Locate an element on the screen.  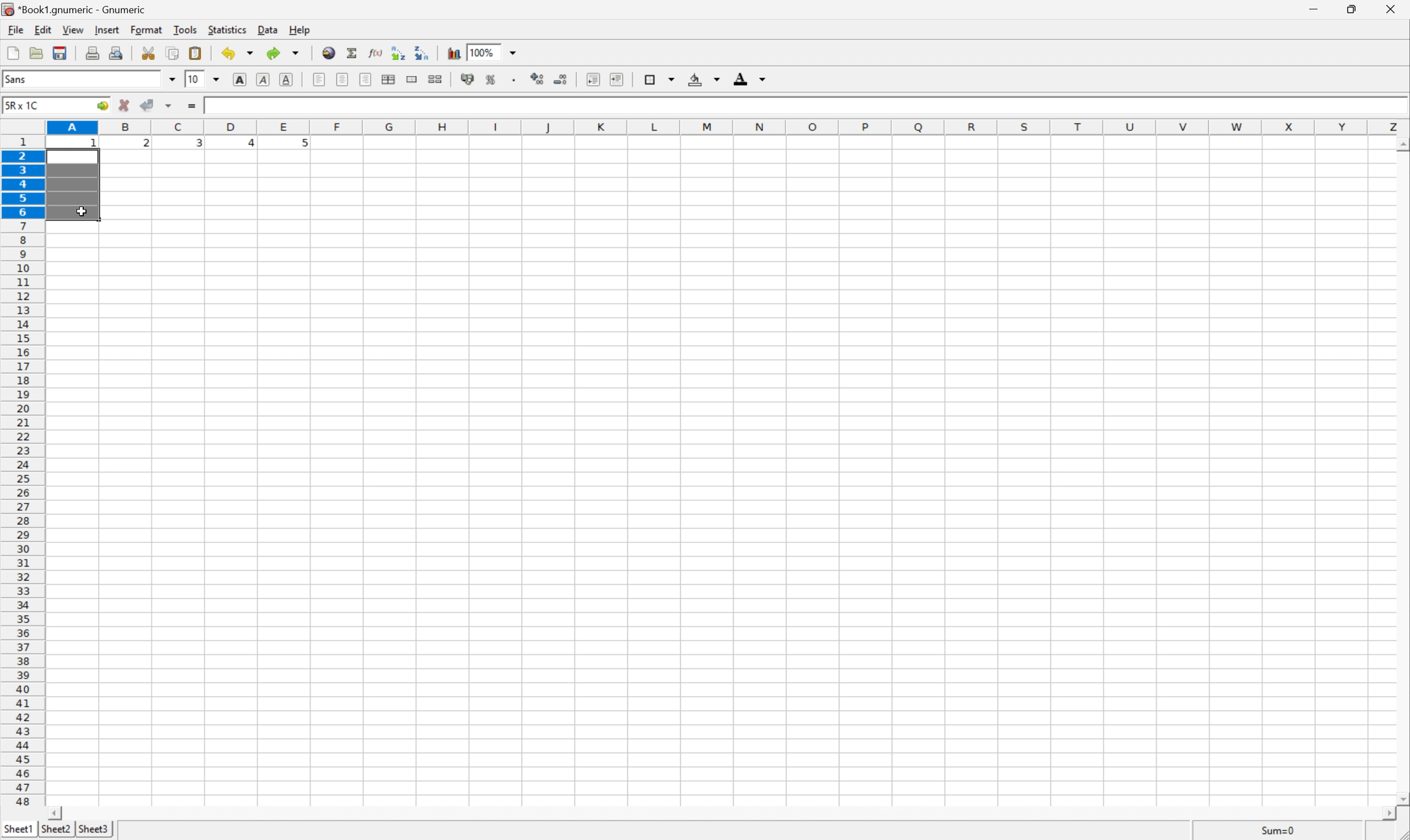
increase indent is located at coordinates (615, 79).